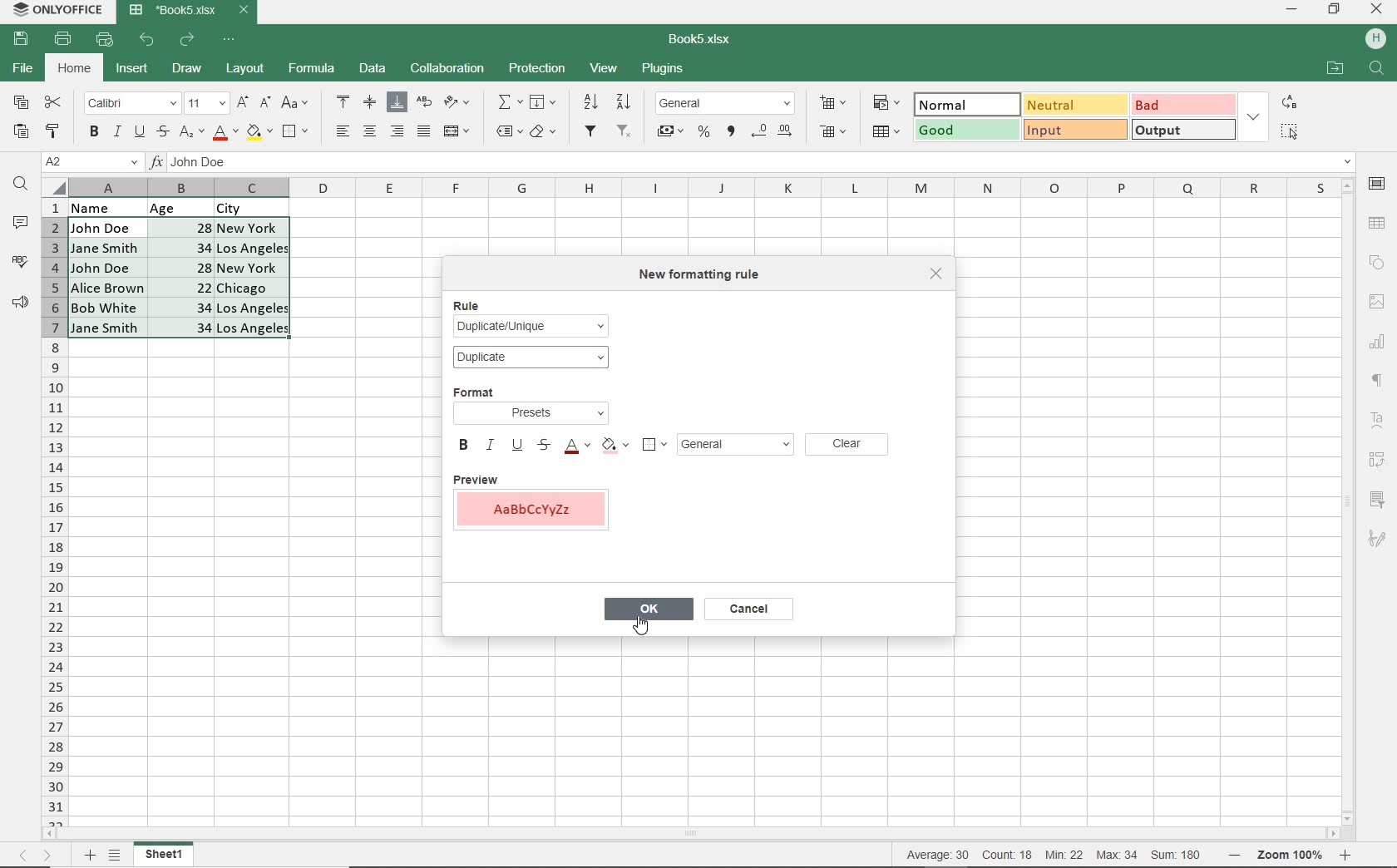 This screenshot has height=868, width=1397. Describe the element at coordinates (517, 446) in the screenshot. I see `UNDERLINE` at that location.